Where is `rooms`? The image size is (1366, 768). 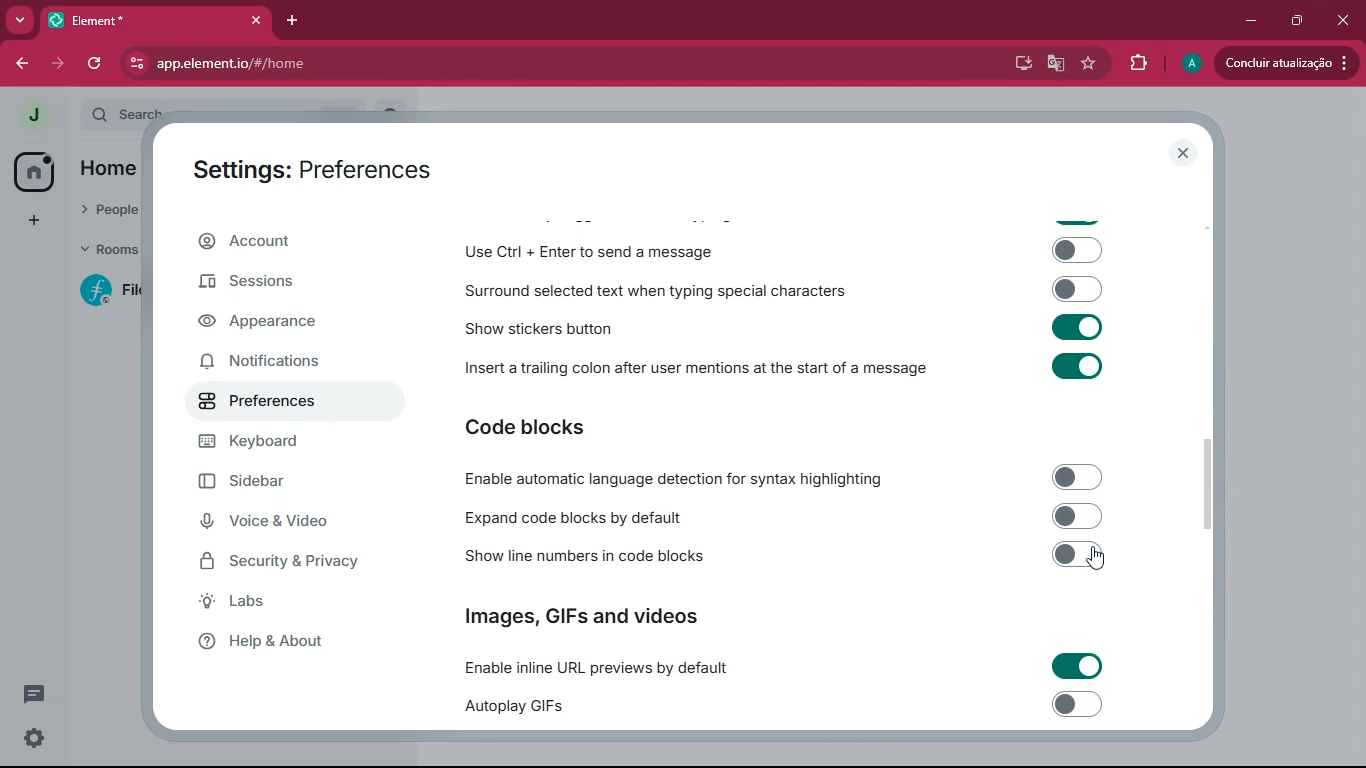 rooms is located at coordinates (108, 252).